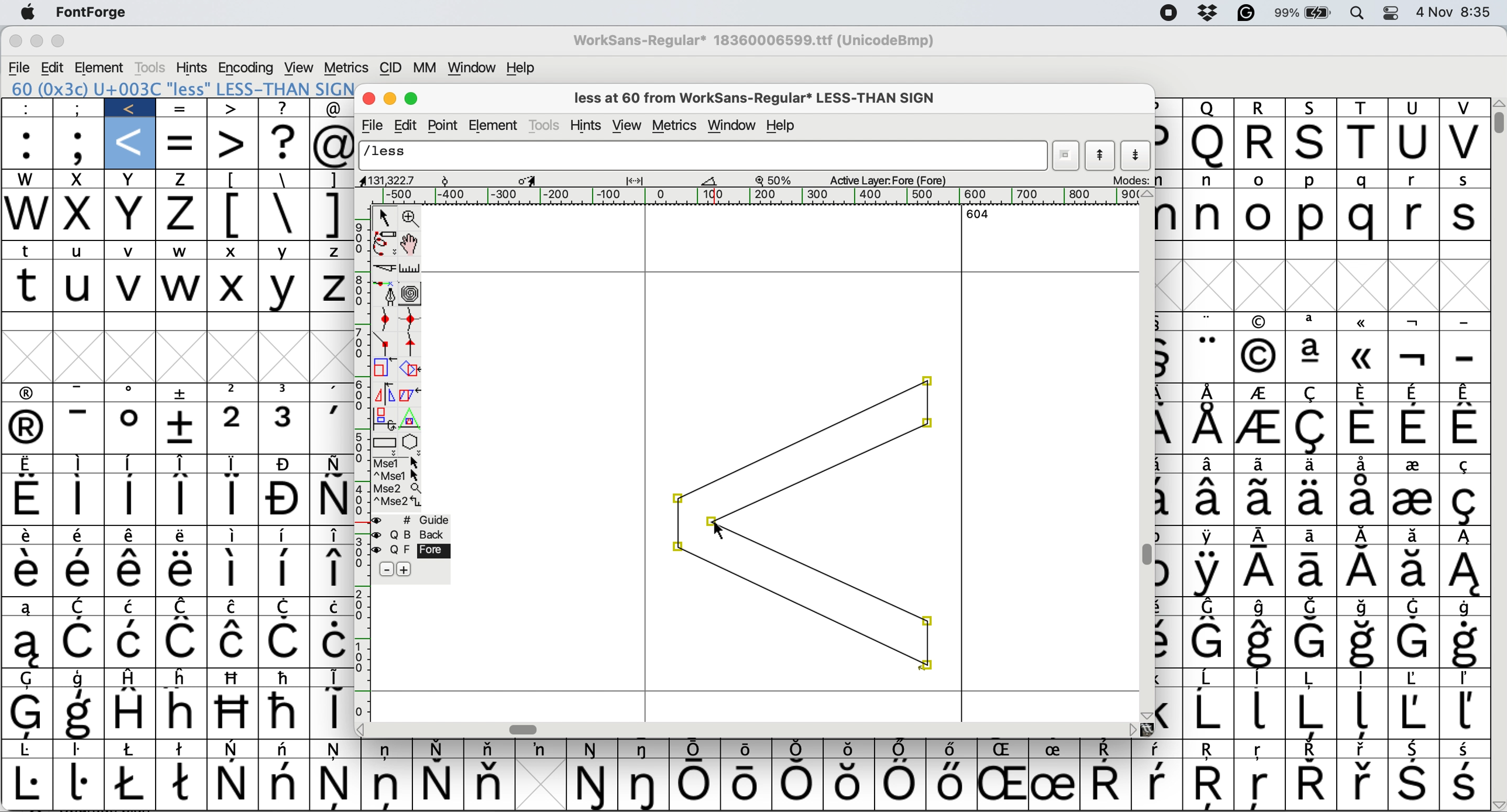 This screenshot has height=812, width=1507. What do you see at coordinates (182, 713) in the screenshot?
I see `Symbol` at bounding box center [182, 713].